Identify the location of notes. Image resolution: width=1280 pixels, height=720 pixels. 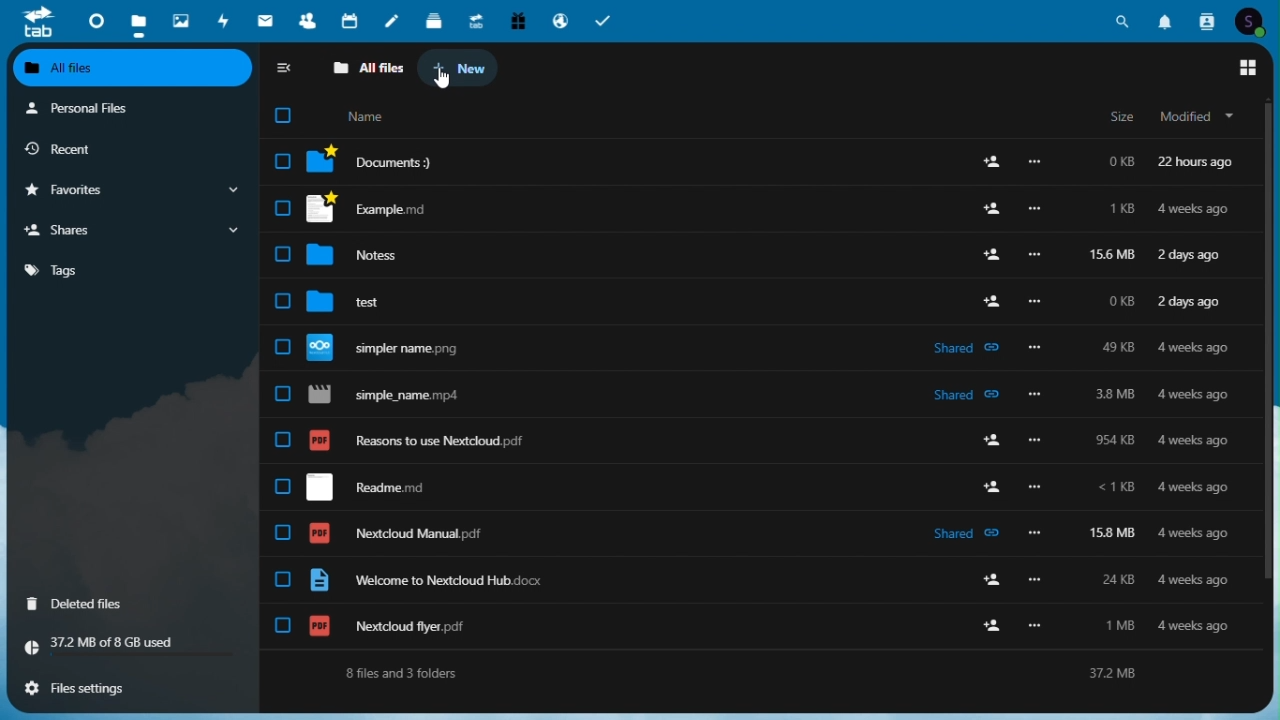
(394, 20).